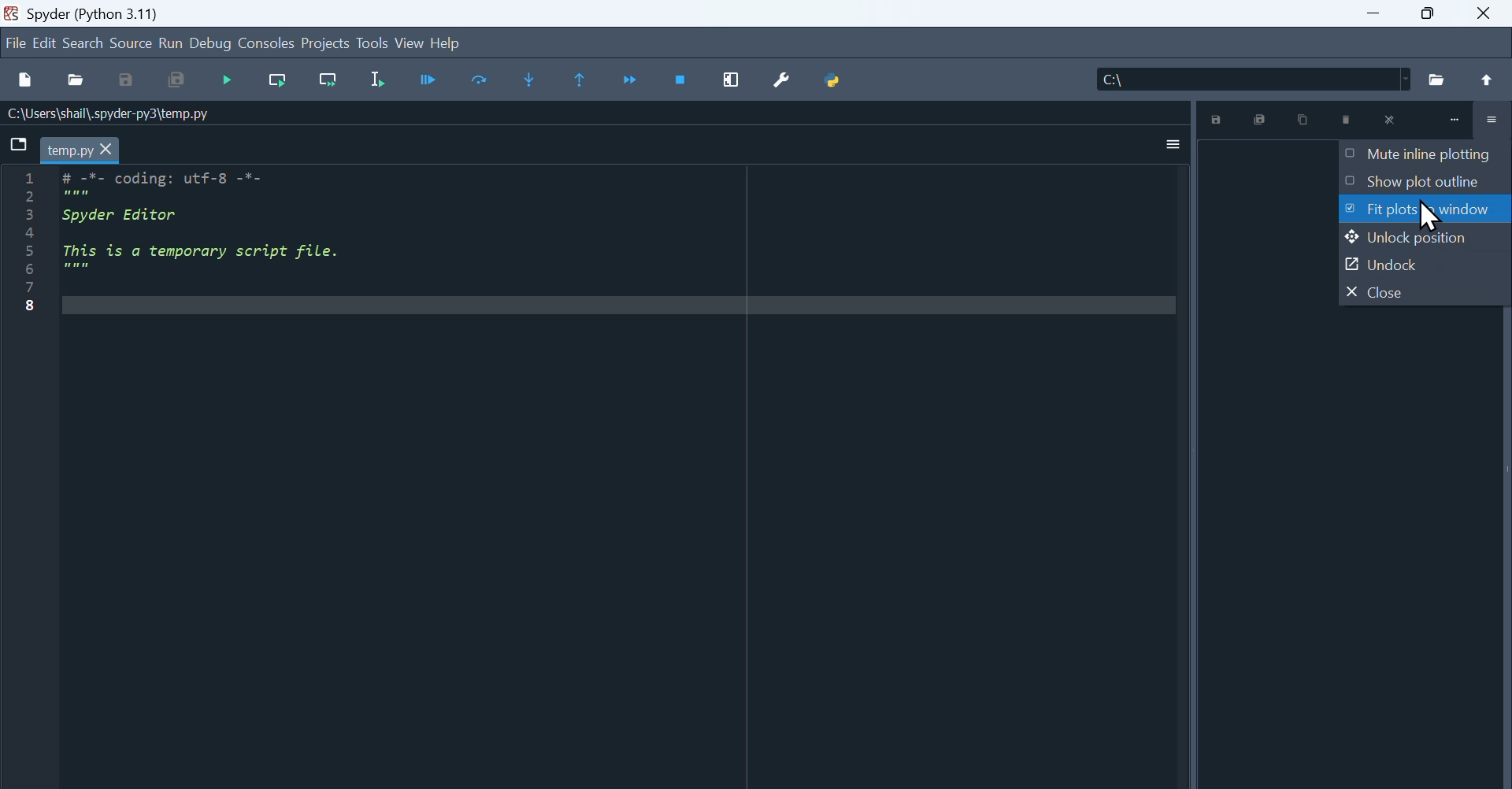 The height and width of the screenshot is (789, 1512). I want to click on Run selection, so click(372, 79).